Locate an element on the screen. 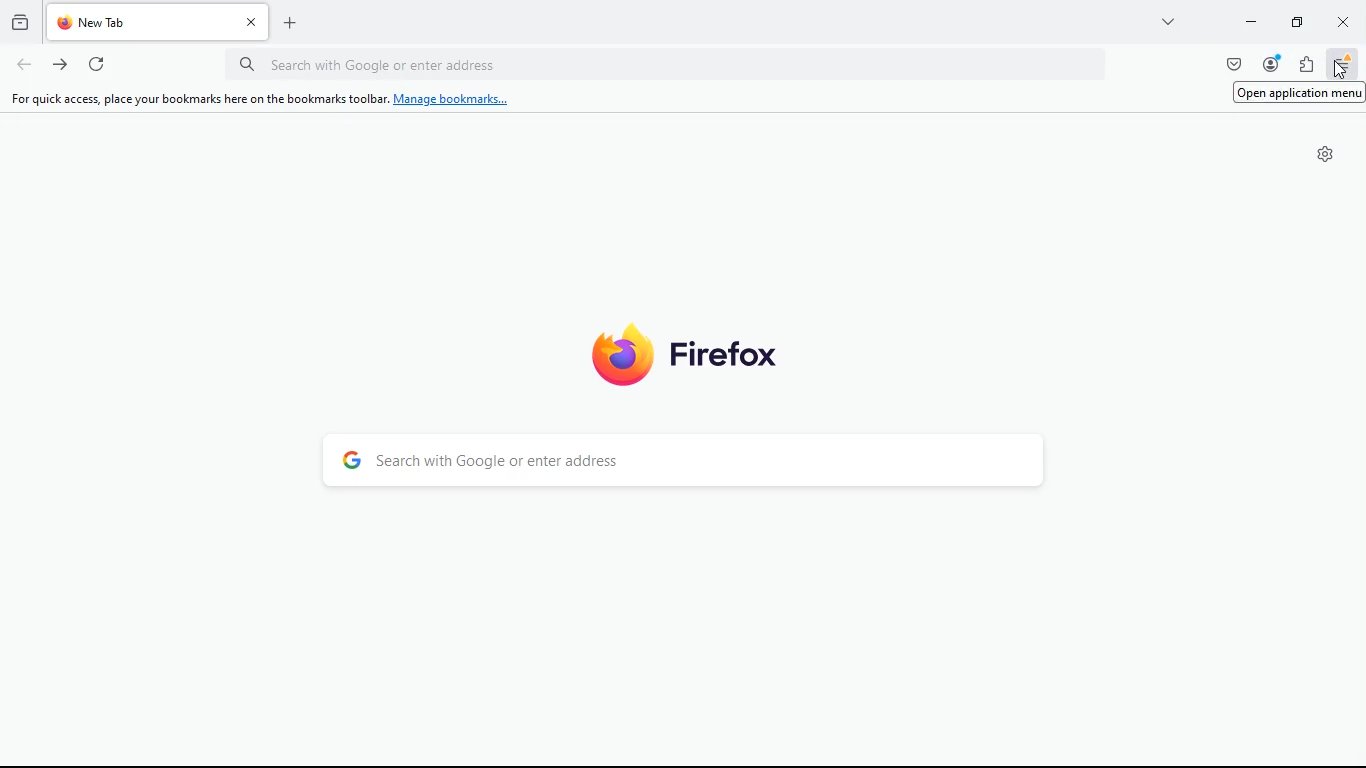  close is located at coordinates (1345, 22).